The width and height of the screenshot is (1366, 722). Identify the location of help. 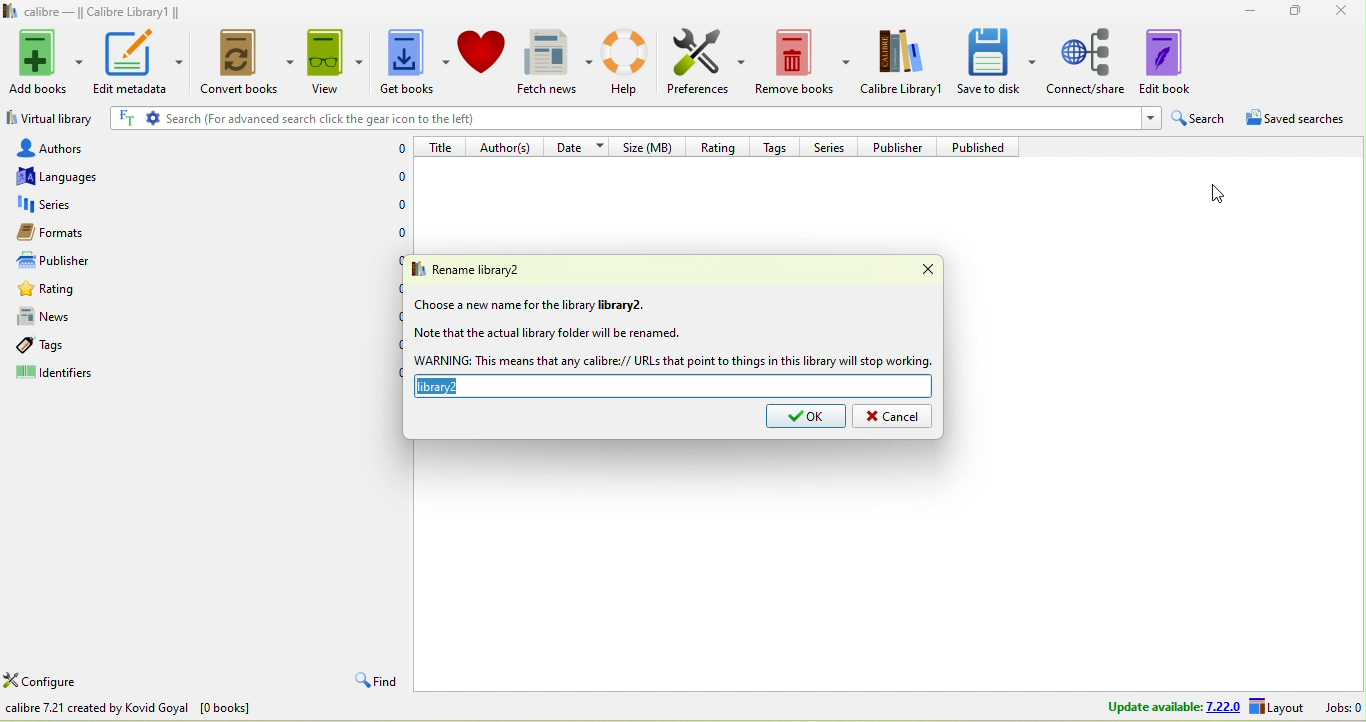
(630, 61).